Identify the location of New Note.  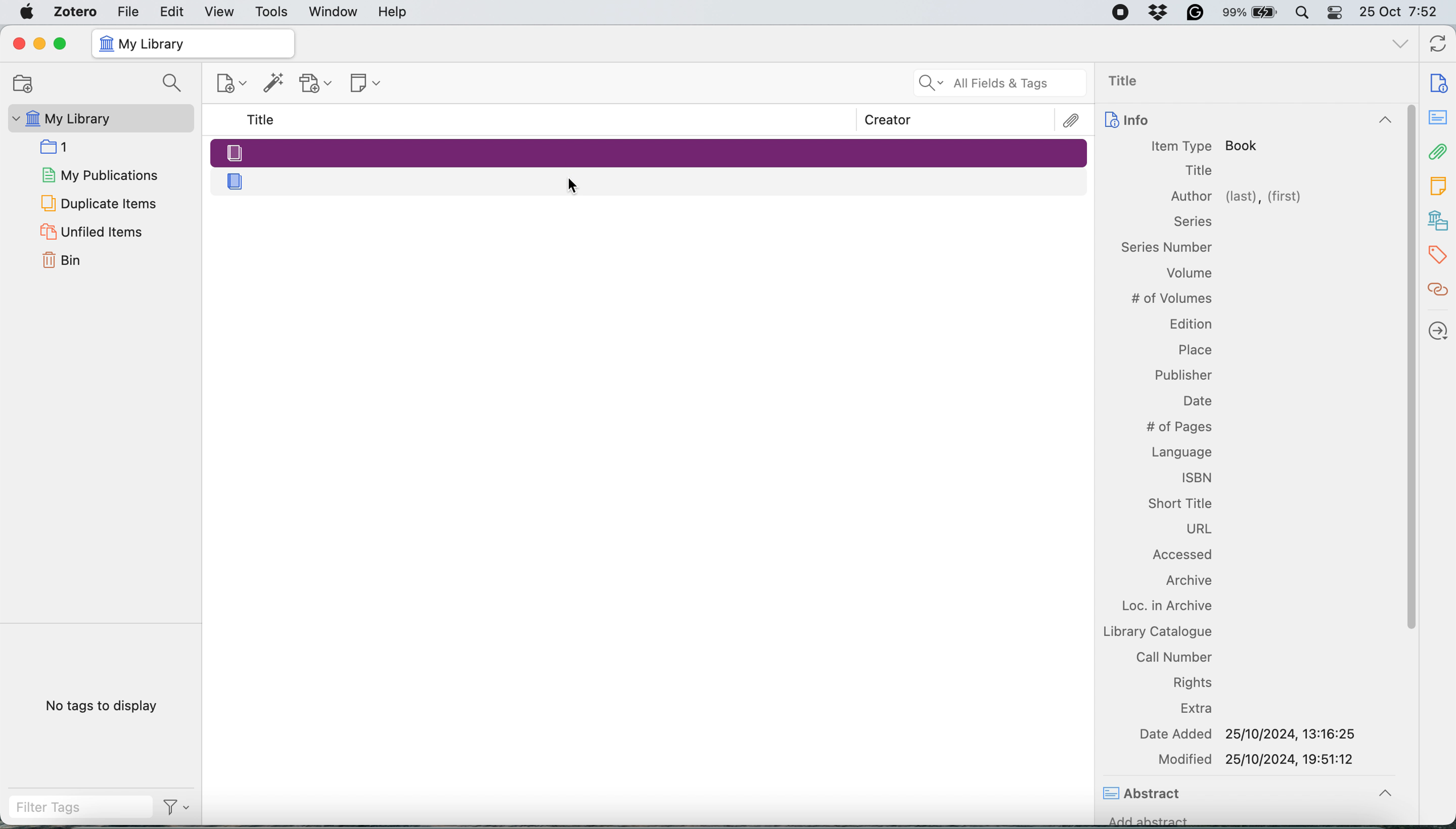
(367, 84).